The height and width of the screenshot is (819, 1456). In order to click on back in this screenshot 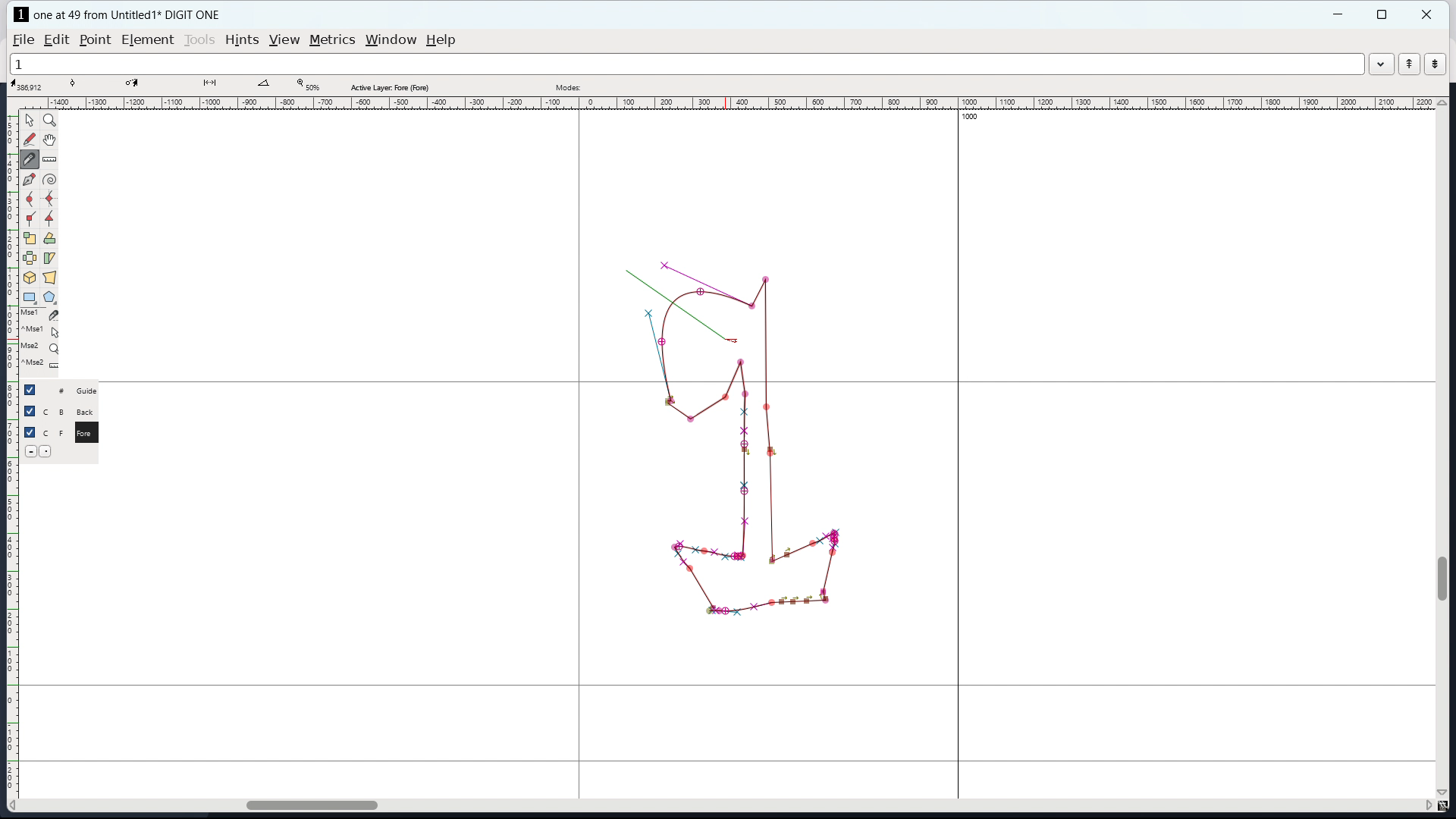, I will do `click(88, 412)`.